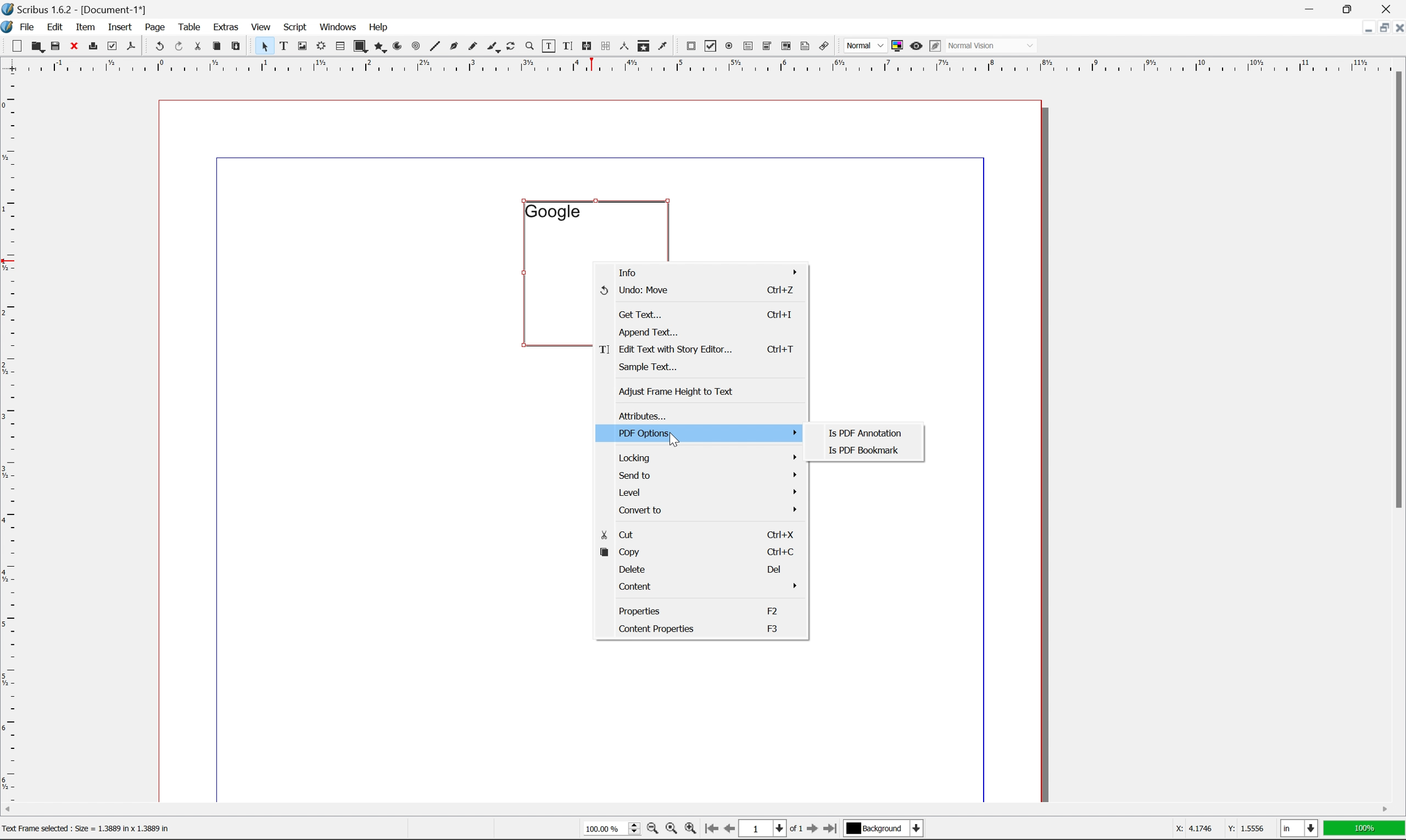 The image size is (1406, 840). I want to click on line, so click(435, 47).